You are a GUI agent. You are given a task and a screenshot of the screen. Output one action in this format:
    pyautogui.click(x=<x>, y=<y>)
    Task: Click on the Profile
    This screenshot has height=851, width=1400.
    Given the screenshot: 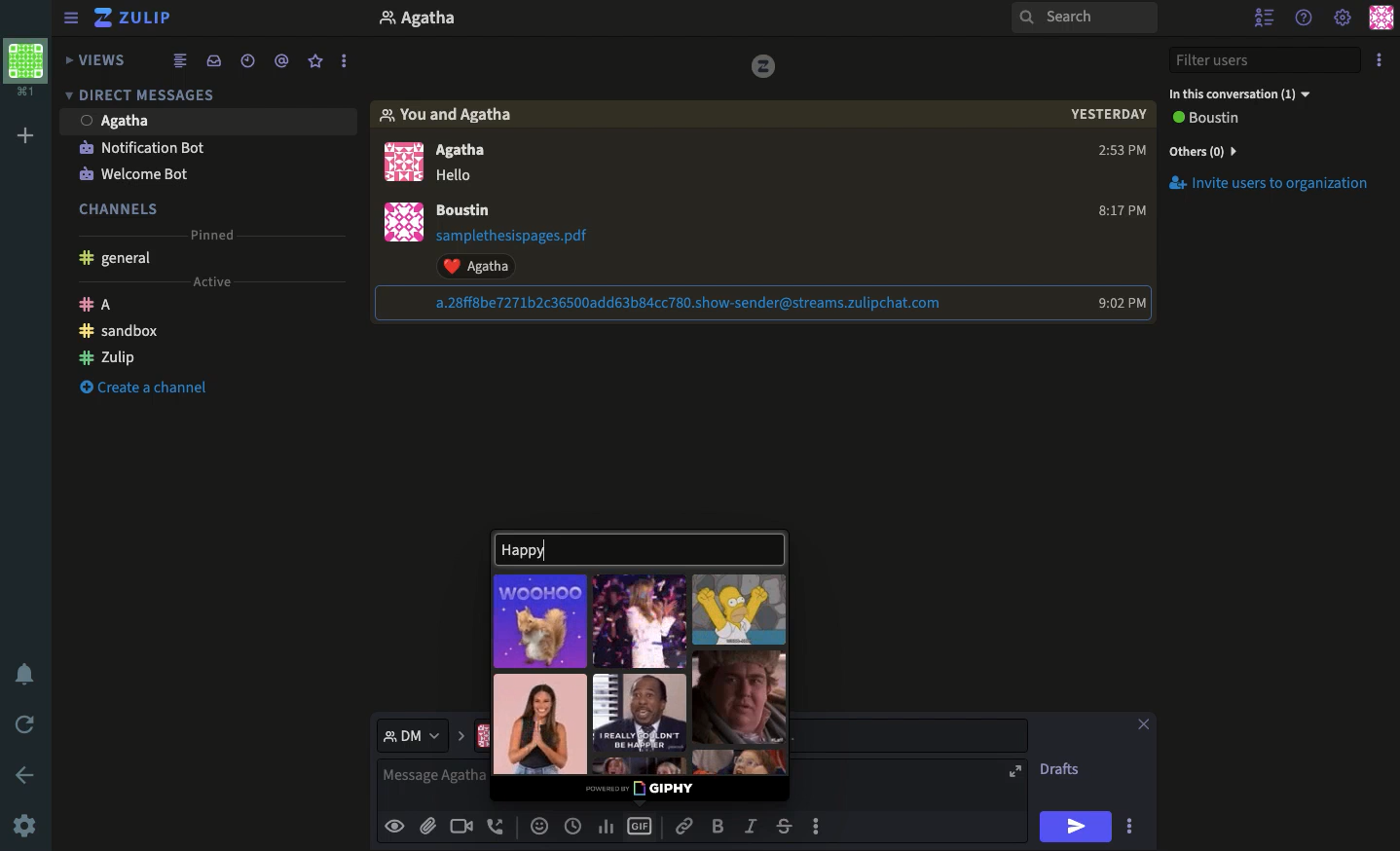 What is the action you would take?
    pyautogui.click(x=399, y=160)
    